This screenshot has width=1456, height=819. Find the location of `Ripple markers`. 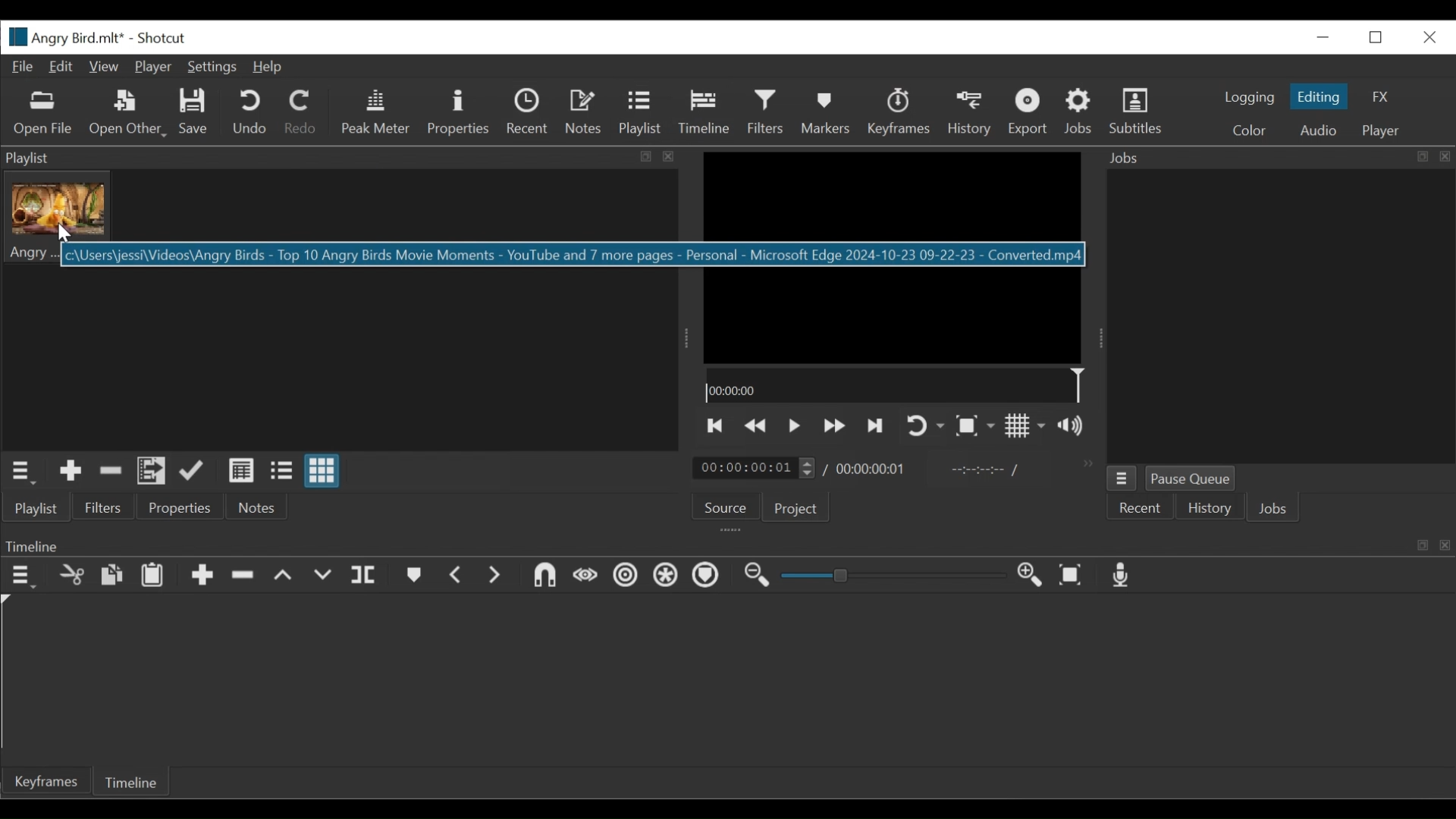

Ripple markers is located at coordinates (709, 576).